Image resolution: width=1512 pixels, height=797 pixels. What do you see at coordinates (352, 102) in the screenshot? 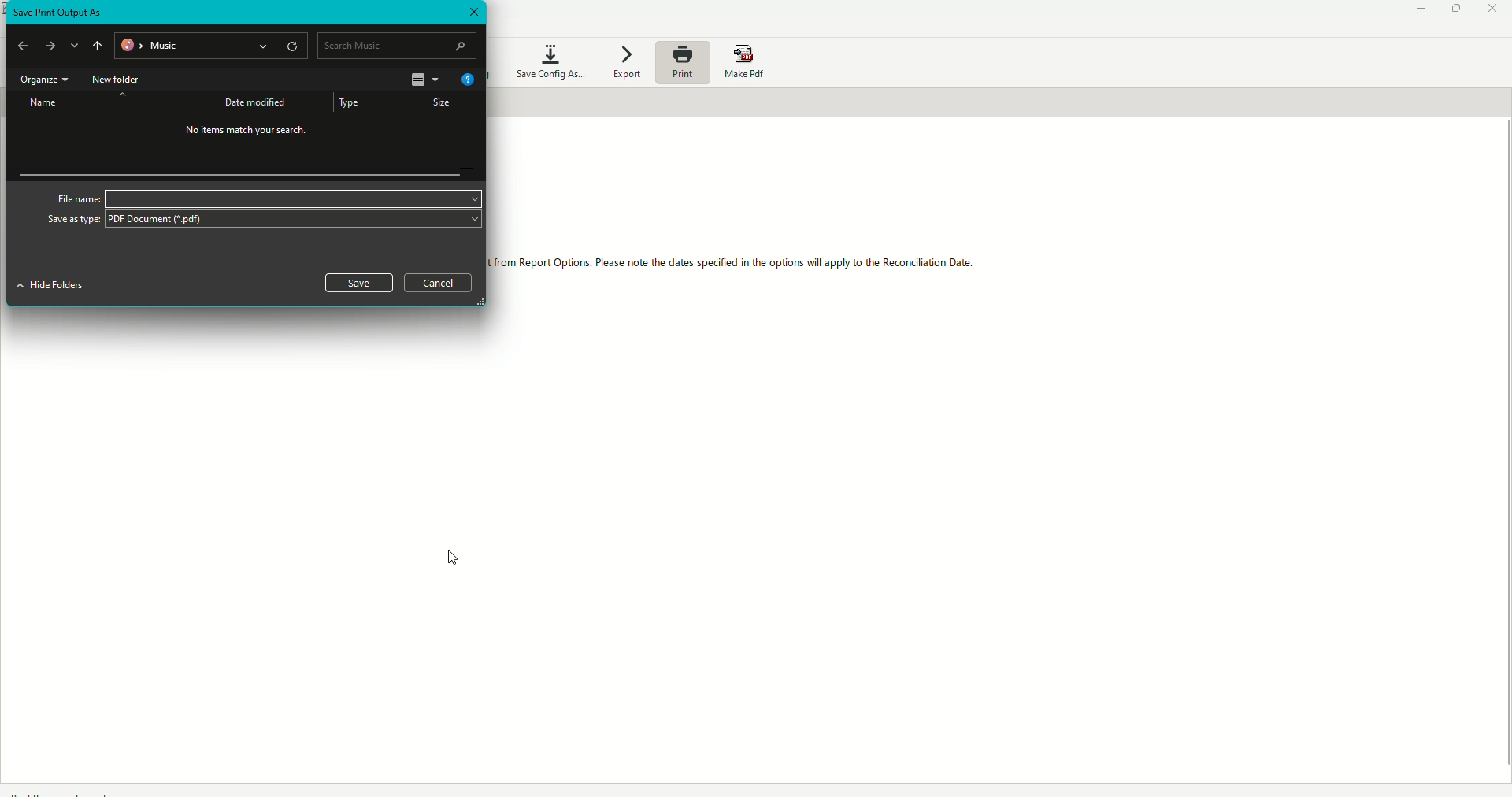
I see `Type` at bounding box center [352, 102].